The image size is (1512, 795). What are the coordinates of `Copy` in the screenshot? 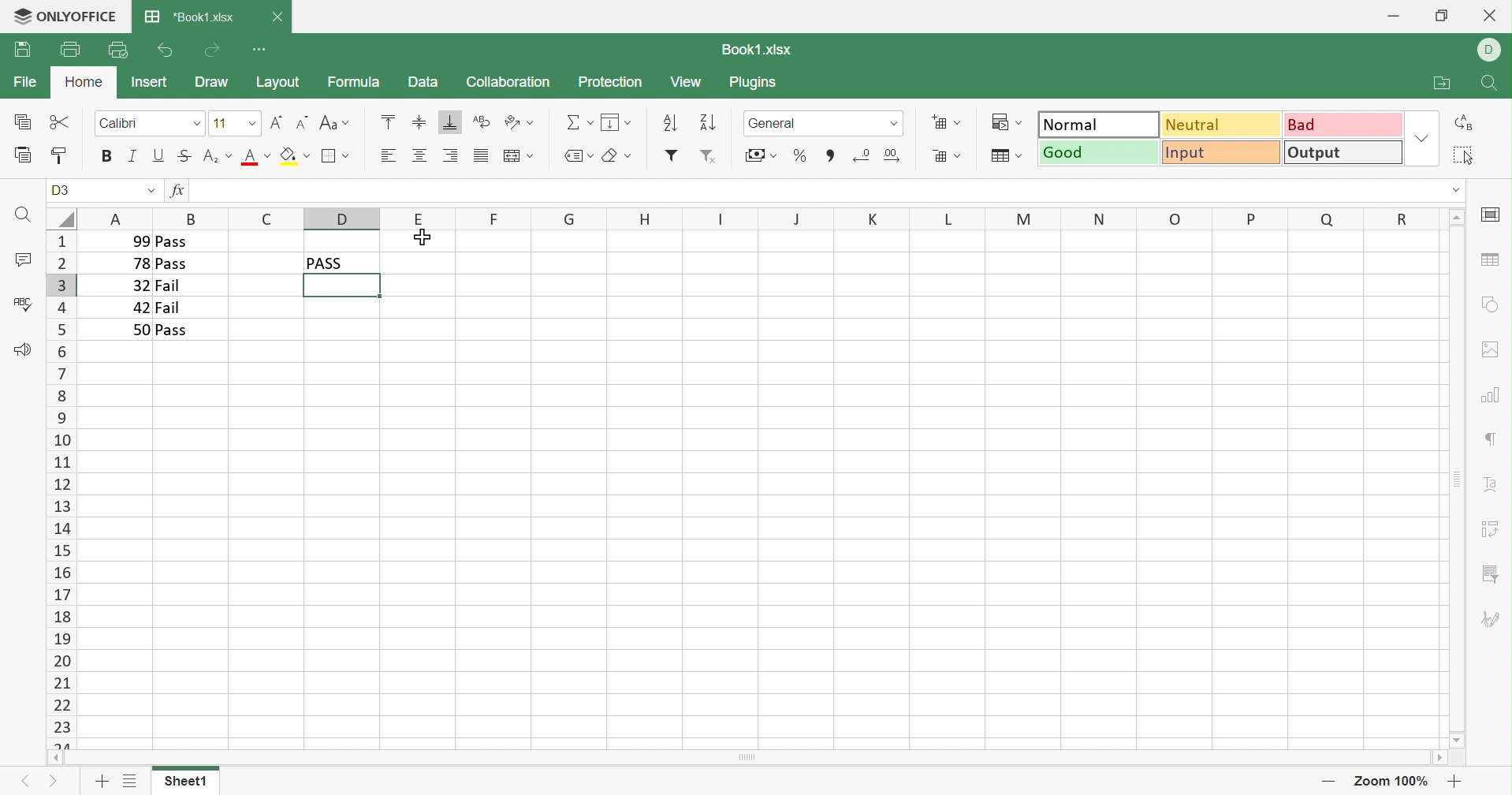 It's located at (24, 121).